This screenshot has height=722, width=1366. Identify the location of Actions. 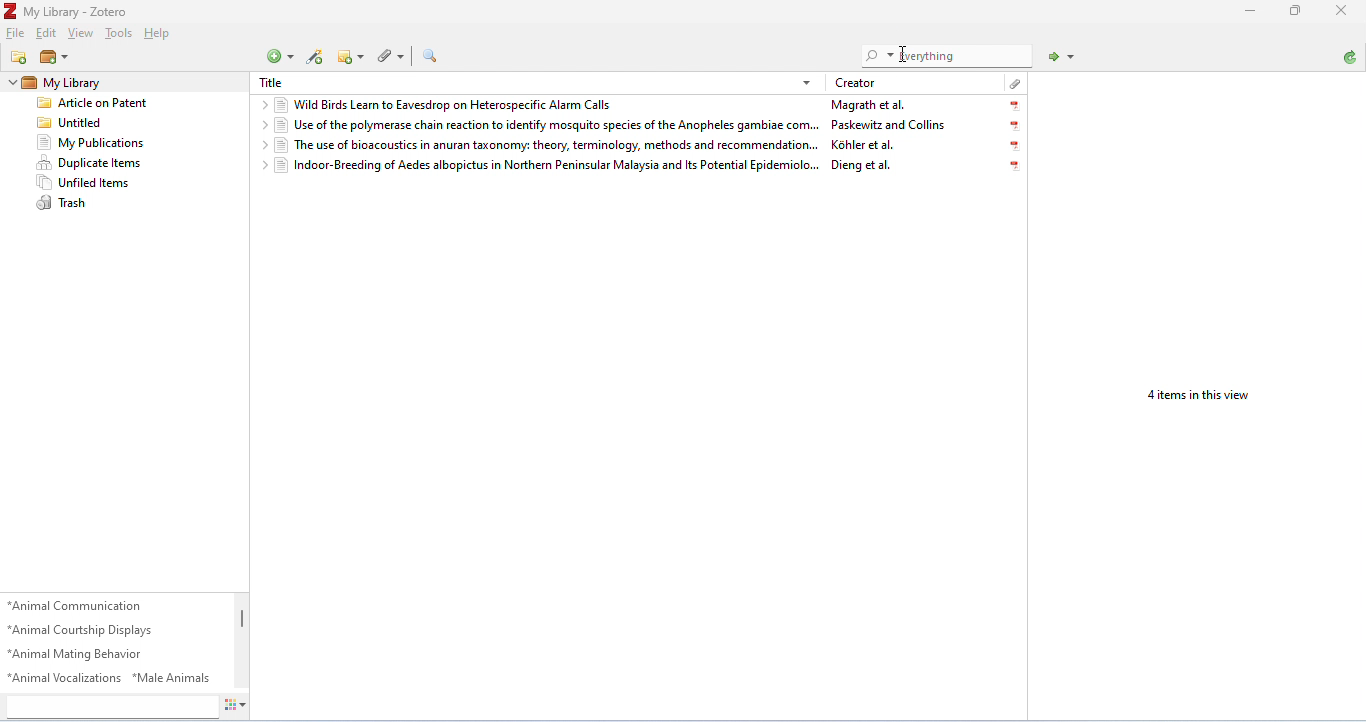
(236, 707).